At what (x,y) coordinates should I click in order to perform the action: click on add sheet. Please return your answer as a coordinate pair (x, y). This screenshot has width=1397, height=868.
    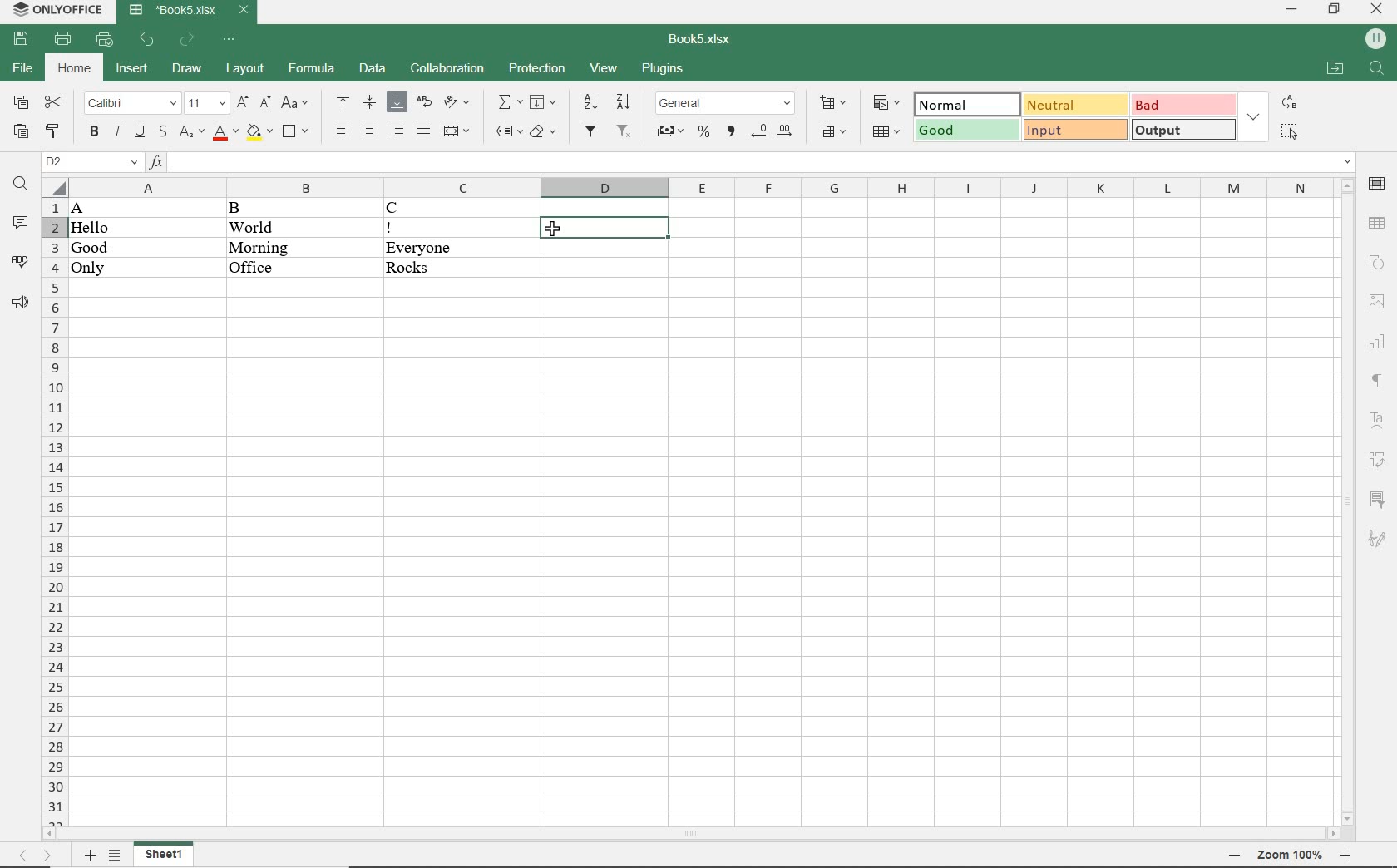
    Looking at the image, I should click on (89, 854).